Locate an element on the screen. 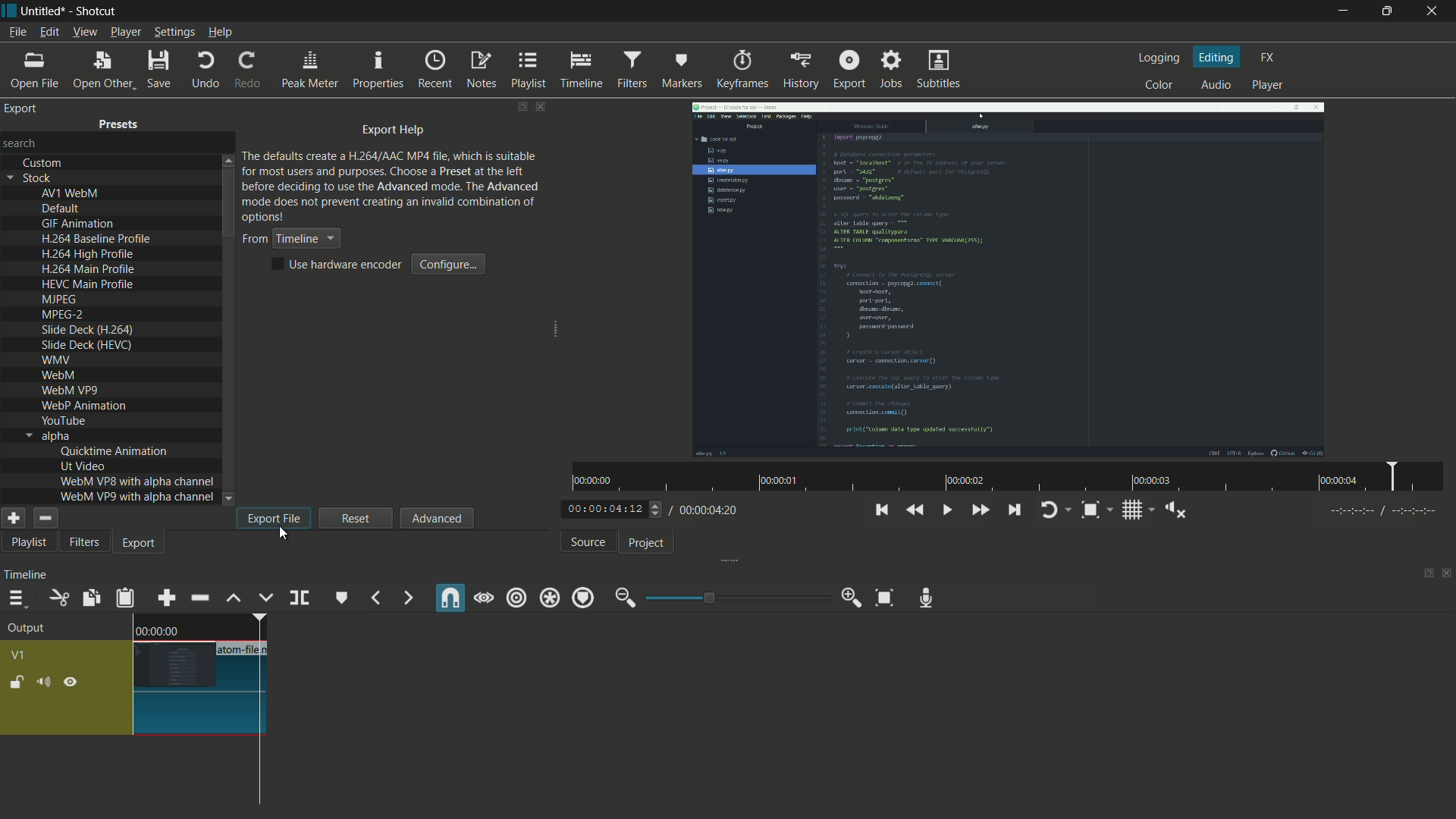  cursor is located at coordinates (284, 536).